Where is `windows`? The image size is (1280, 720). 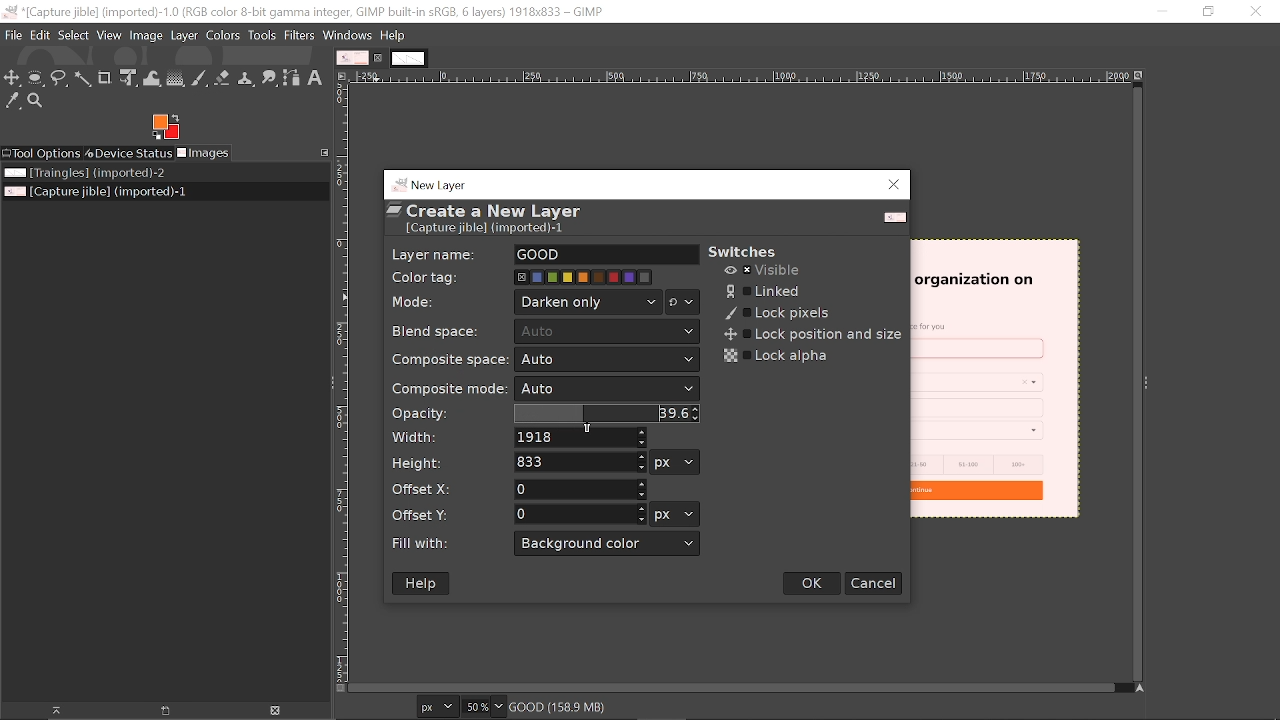
windows is located at coordinates (347, 35).